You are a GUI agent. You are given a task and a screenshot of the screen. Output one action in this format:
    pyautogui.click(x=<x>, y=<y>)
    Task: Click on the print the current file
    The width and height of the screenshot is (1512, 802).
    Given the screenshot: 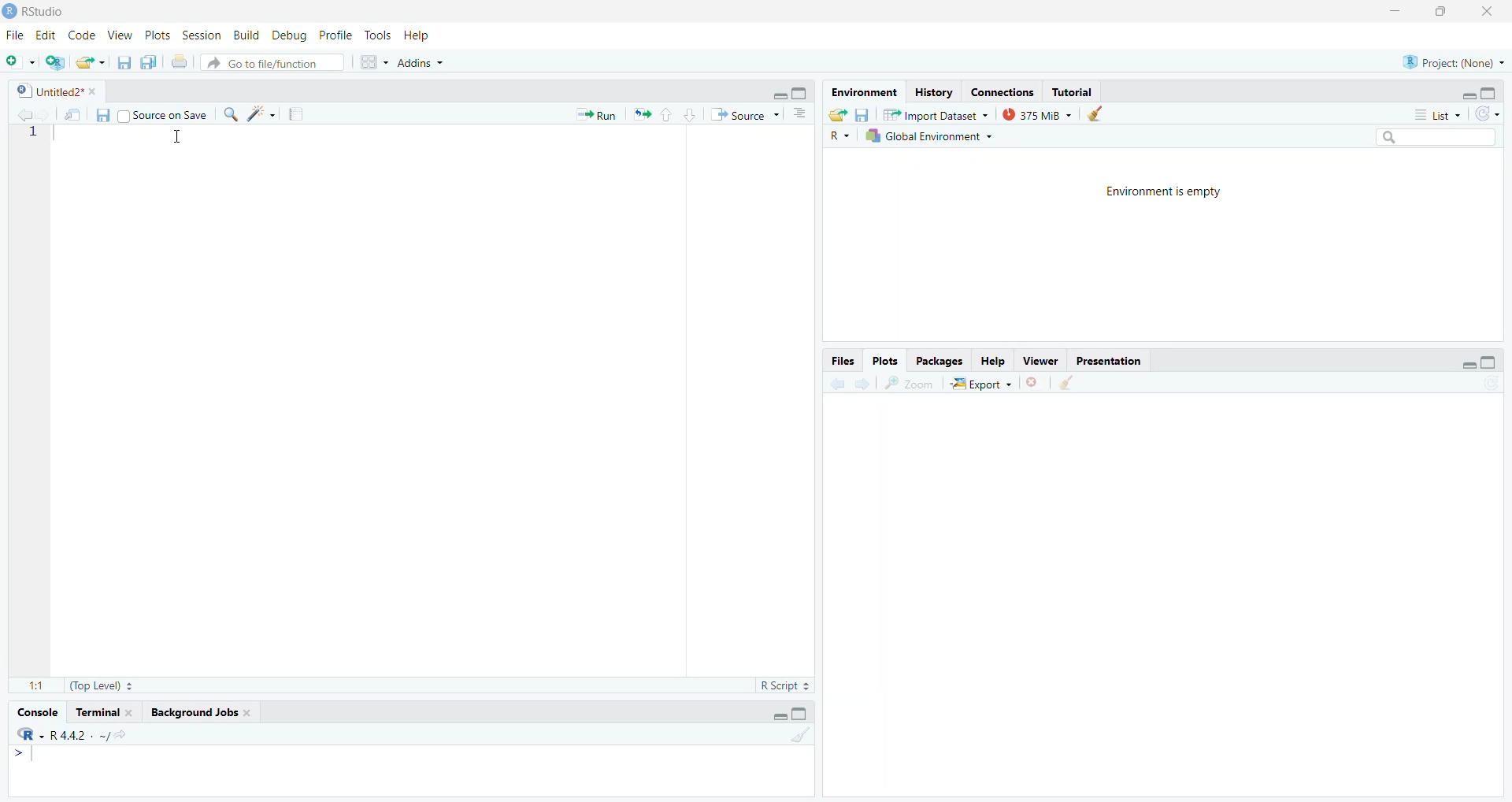 What is the action you would take?
    pyautogui.click(x=183, y=61)
    